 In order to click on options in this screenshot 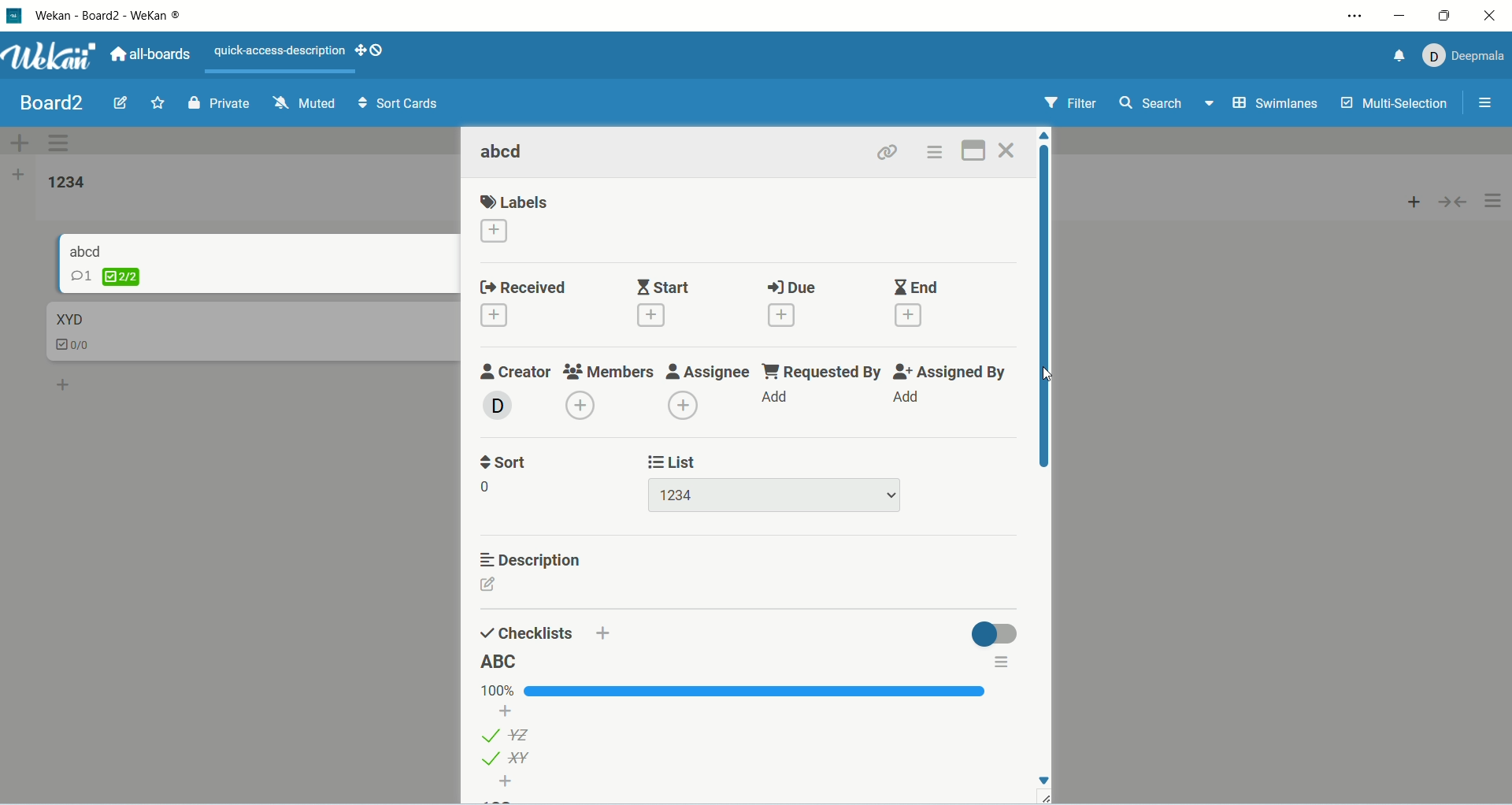, I will do `click(1490, 101)`.